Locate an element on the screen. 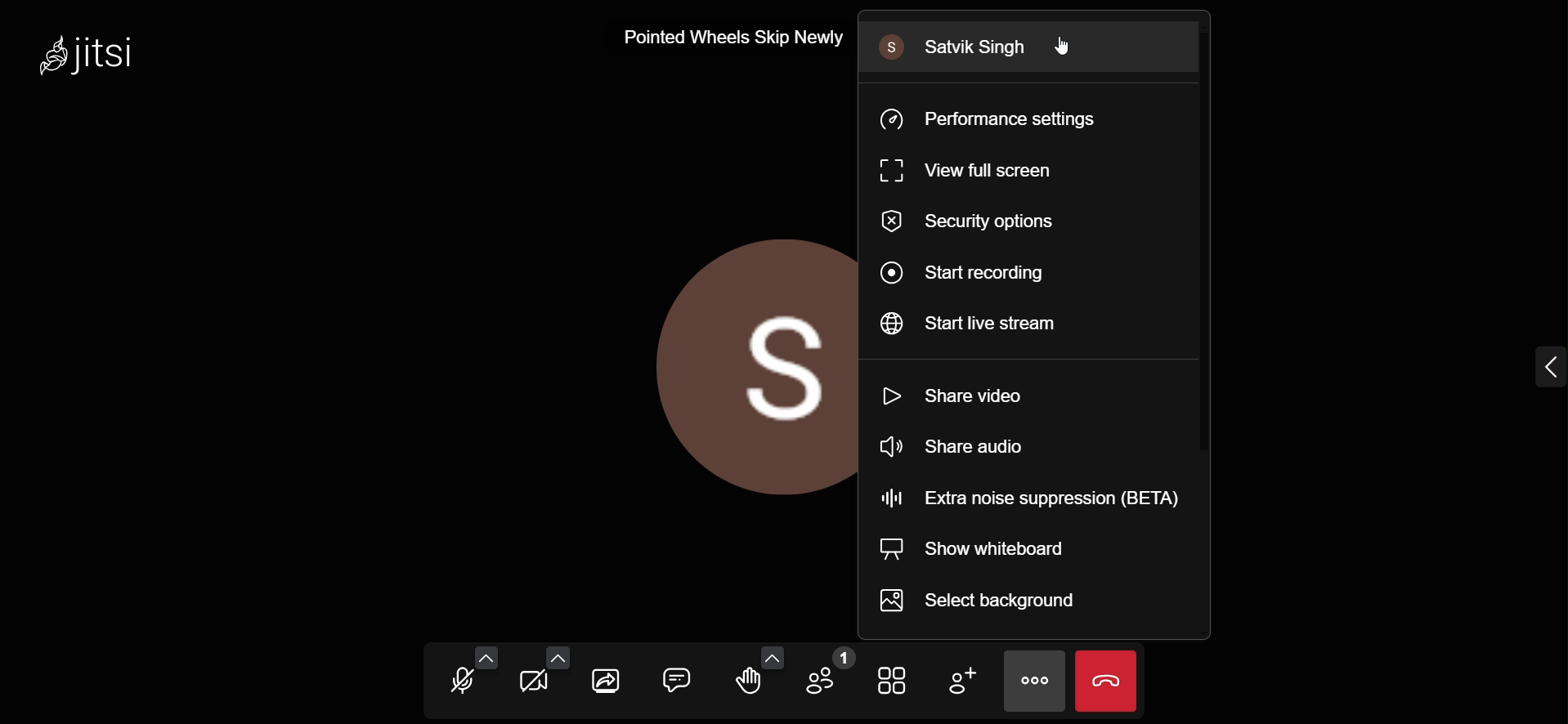  unmute mic is located at coordinates (457, 683).